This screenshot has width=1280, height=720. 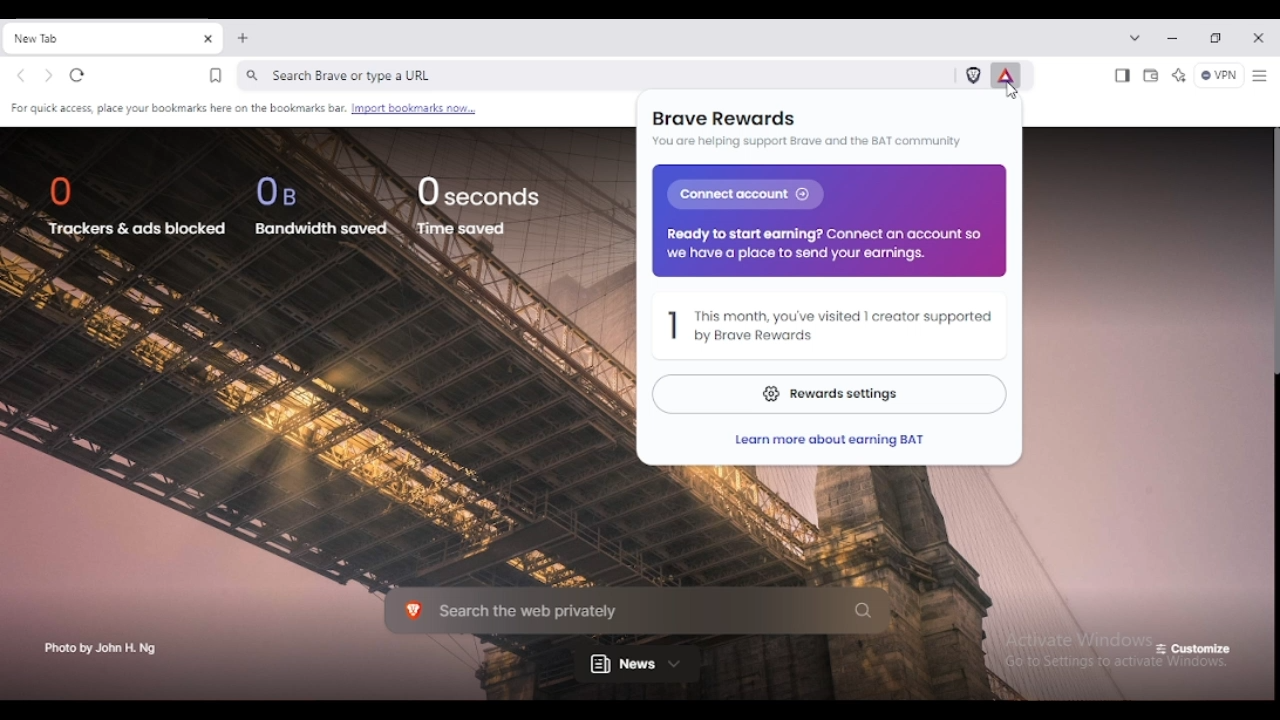 I want to click on brave shields, so click(x=974, y=75).